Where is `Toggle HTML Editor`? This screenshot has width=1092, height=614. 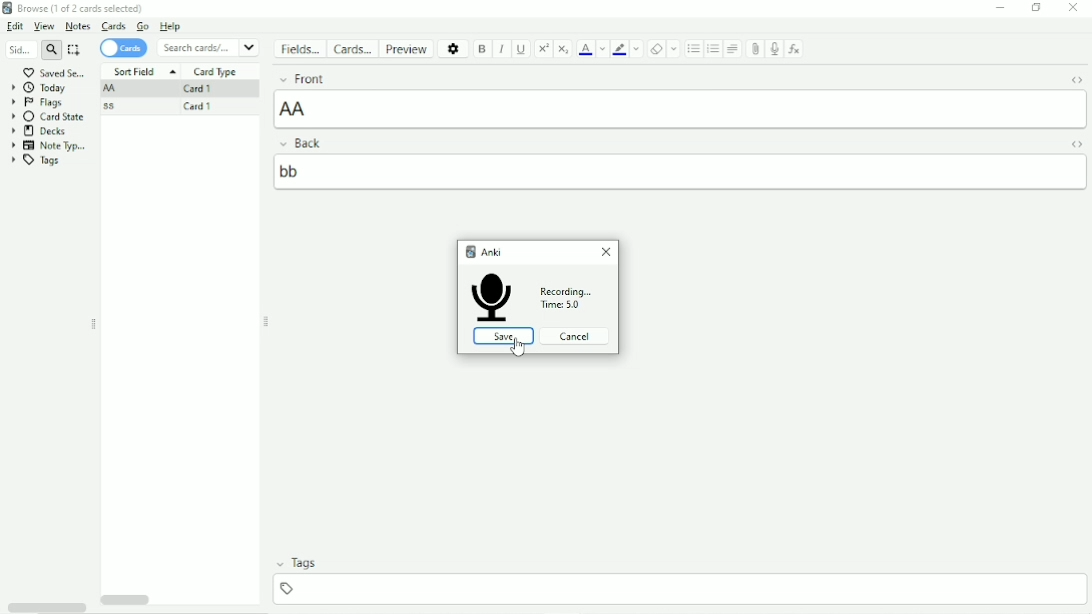
Toggle HTML Editor is located at coordinates (1074, 80).